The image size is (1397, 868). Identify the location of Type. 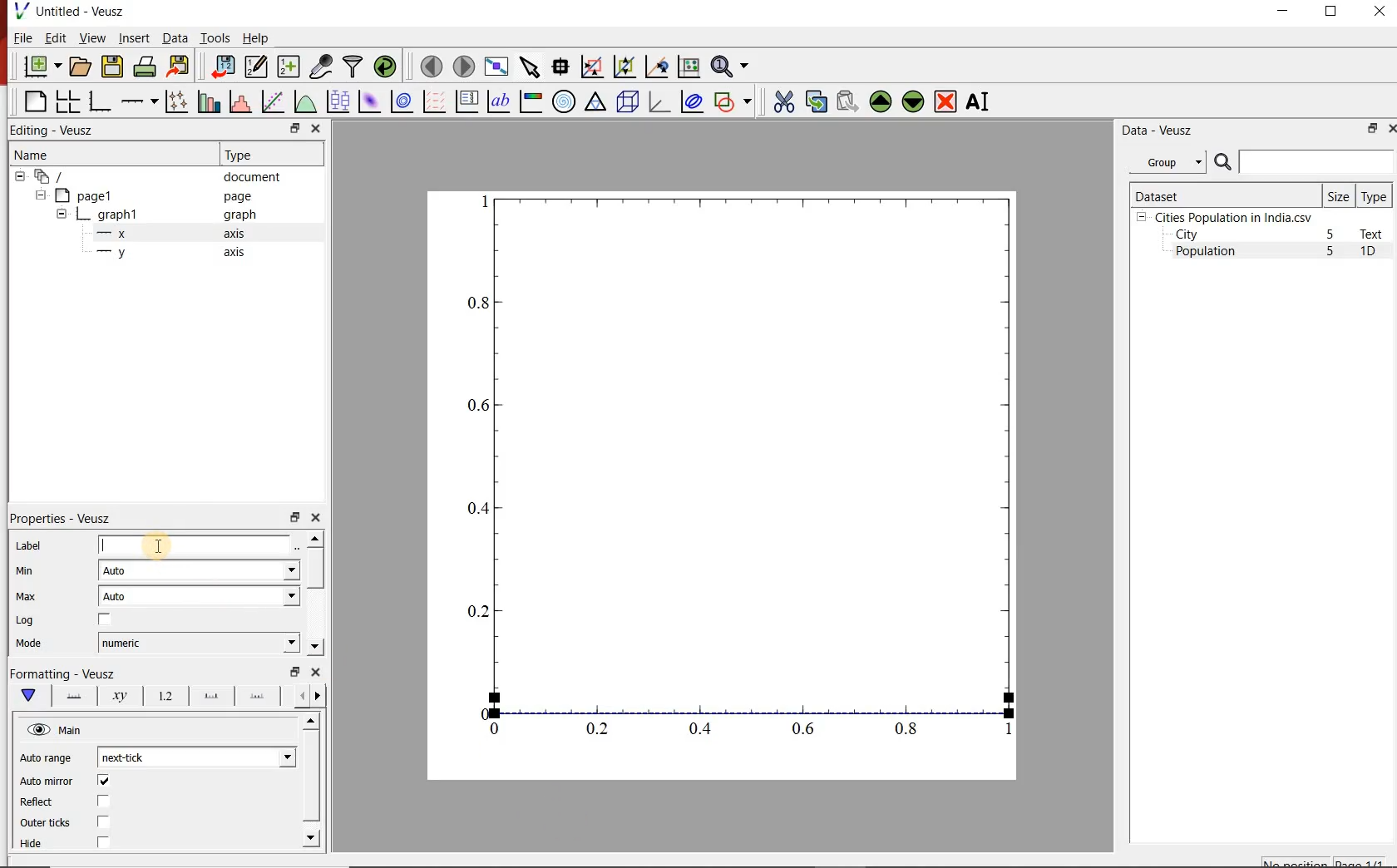
(1375, 195).